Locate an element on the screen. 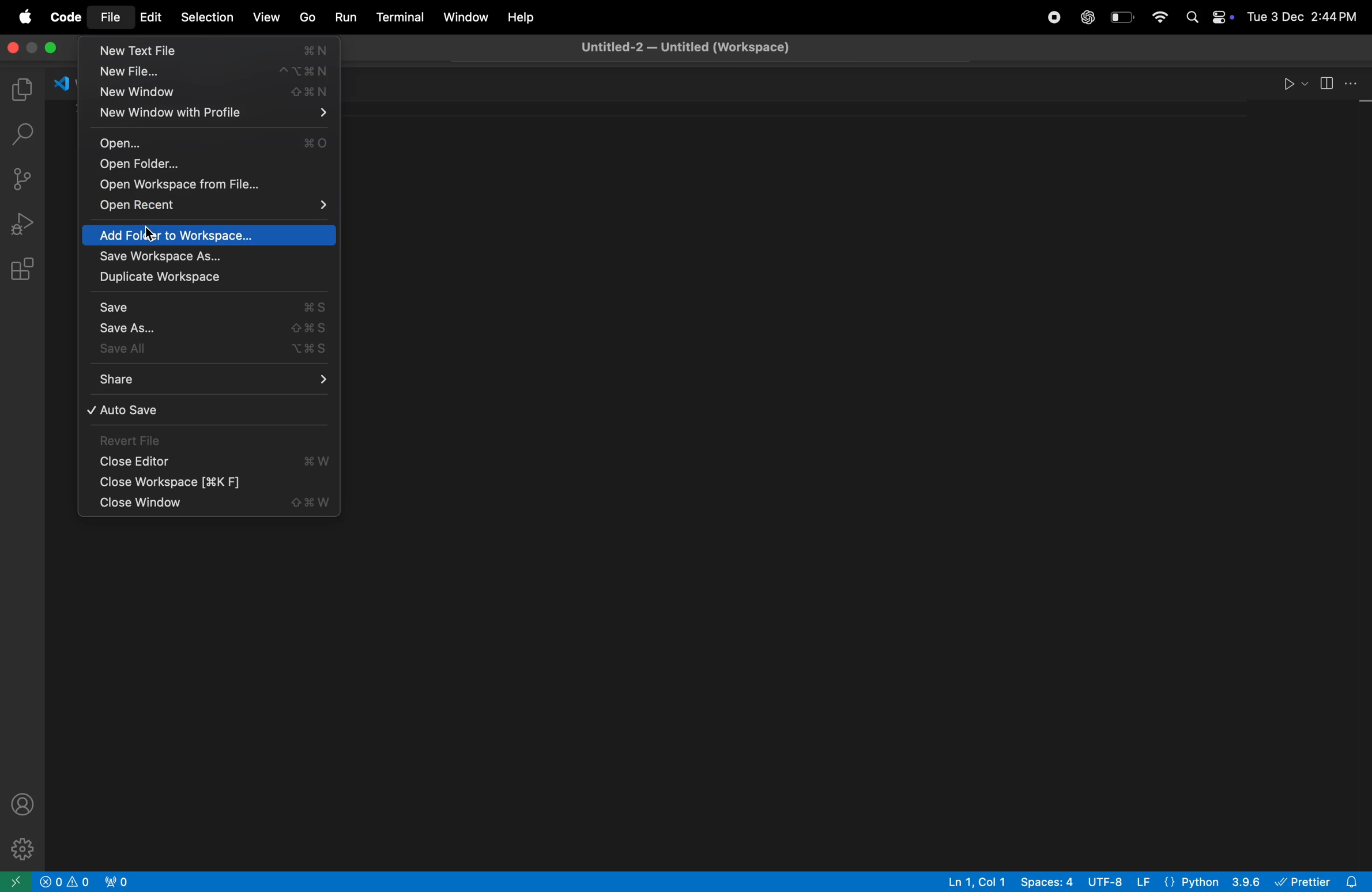  apple widgets is located at coordinates (1206, 16).